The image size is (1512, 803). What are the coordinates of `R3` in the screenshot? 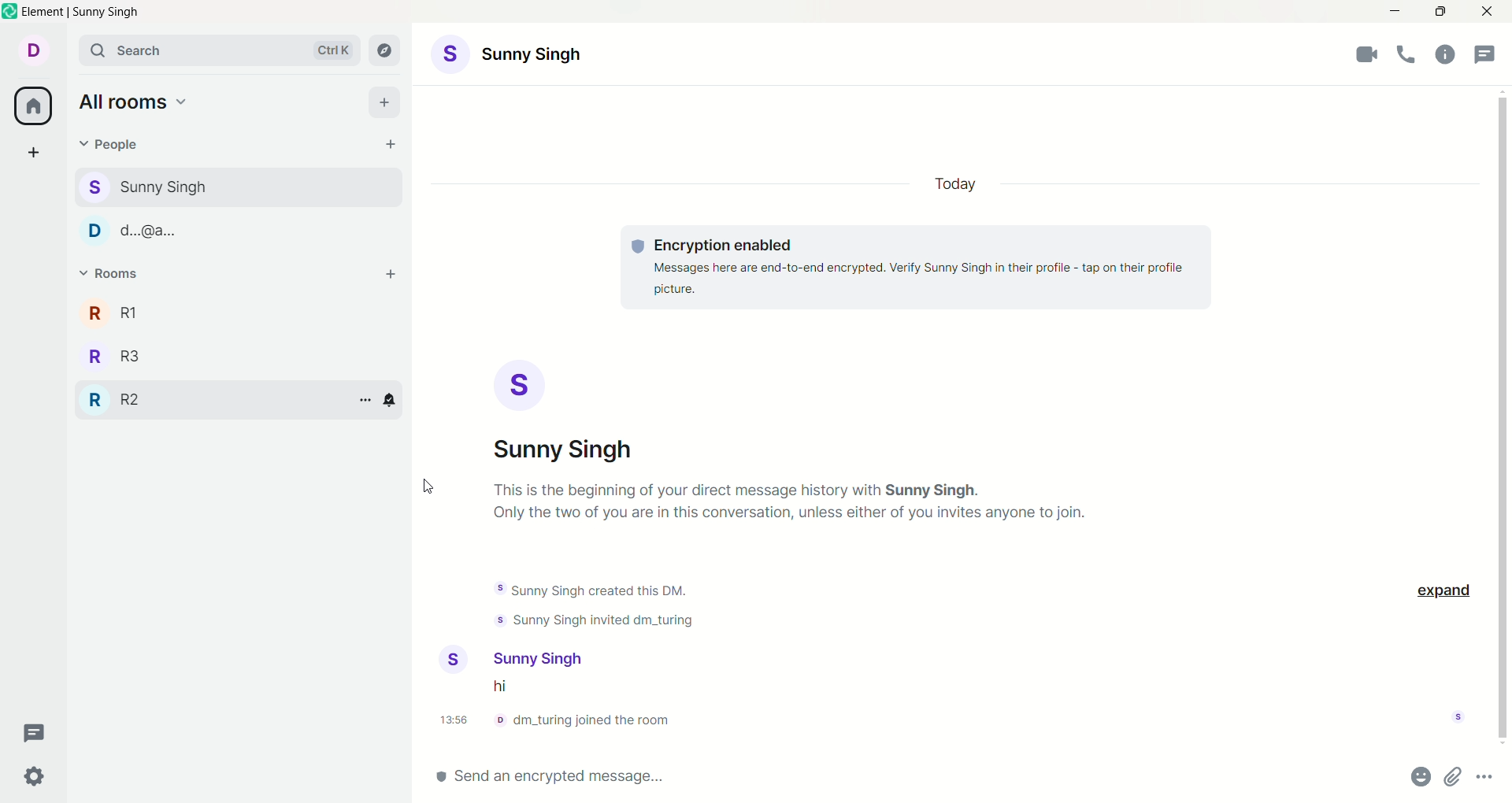 It's located at (116, 353).